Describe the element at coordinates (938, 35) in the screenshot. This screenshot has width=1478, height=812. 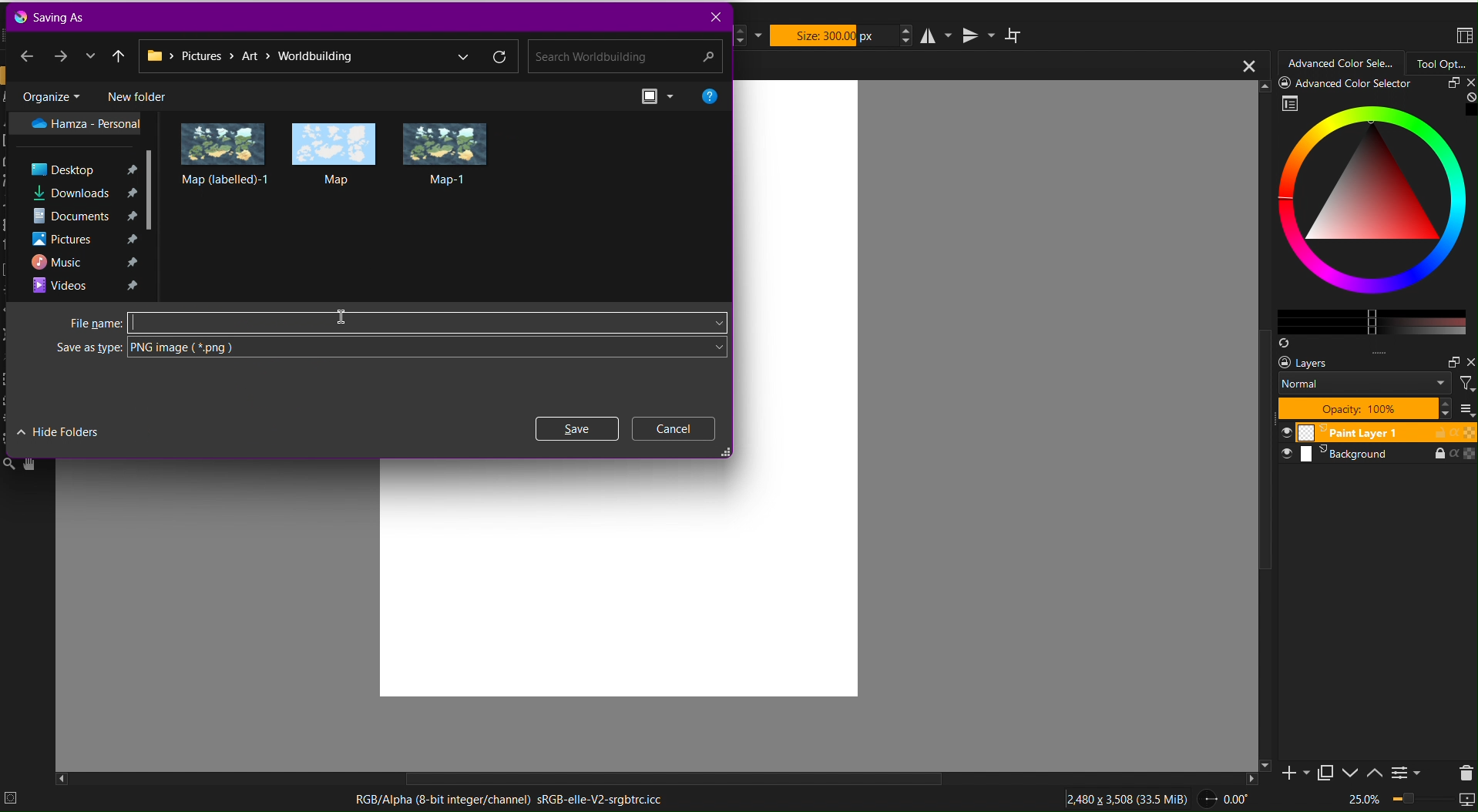
I see `Horizontal Mirror` at that location.